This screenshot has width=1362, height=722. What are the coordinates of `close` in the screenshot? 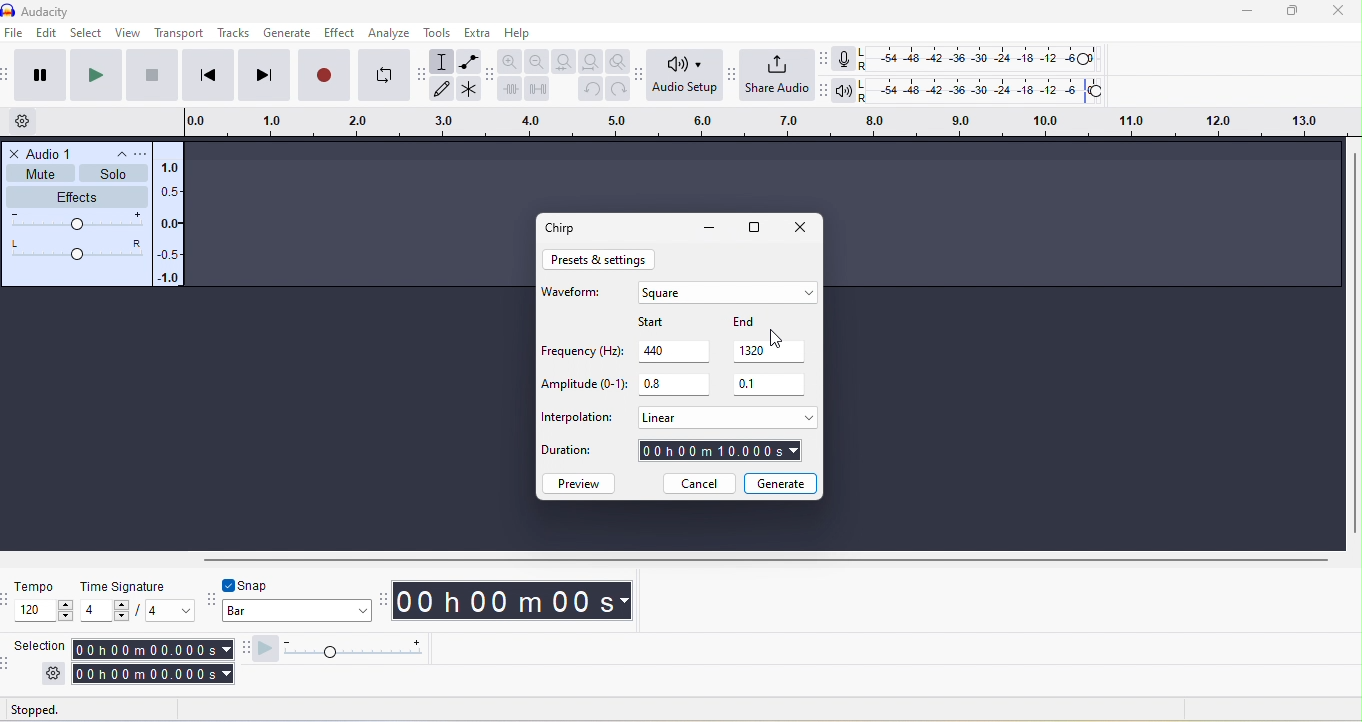 It's located at (1340, 12).